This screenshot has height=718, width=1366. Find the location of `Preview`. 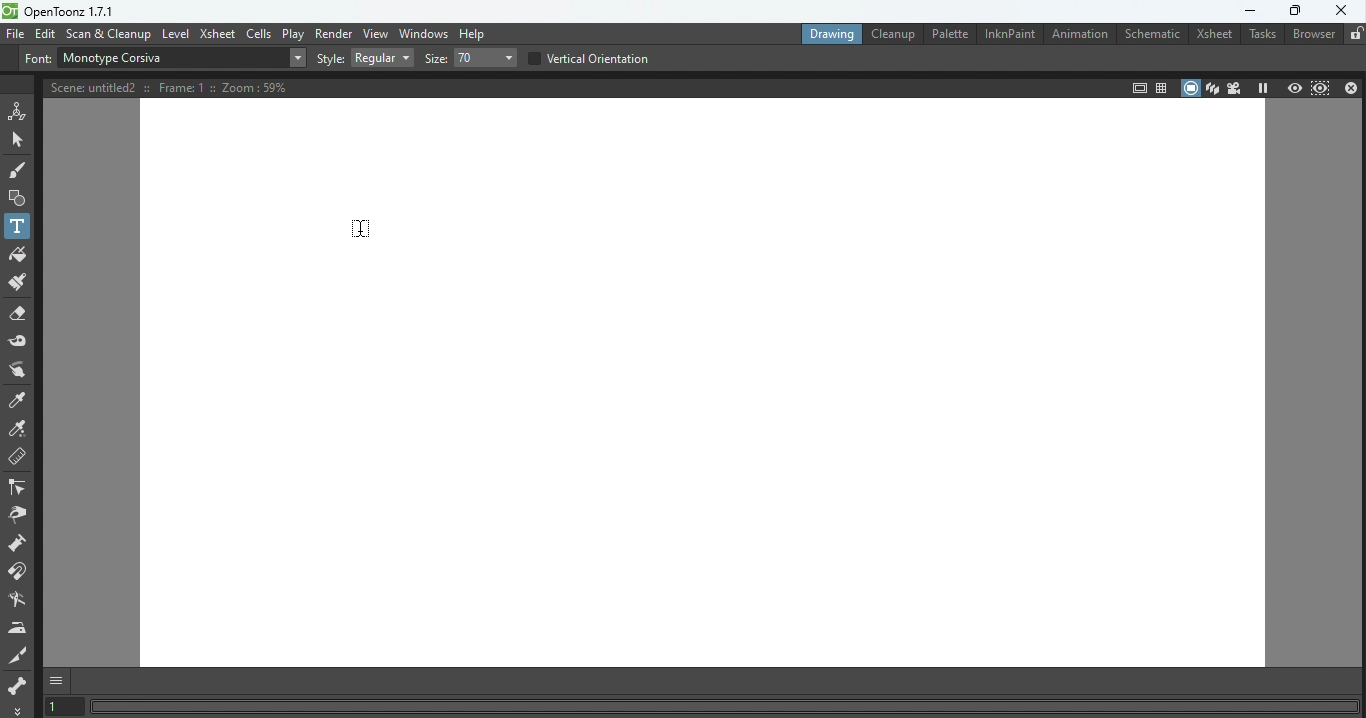

Preview is located at coordinates (1292, 89).